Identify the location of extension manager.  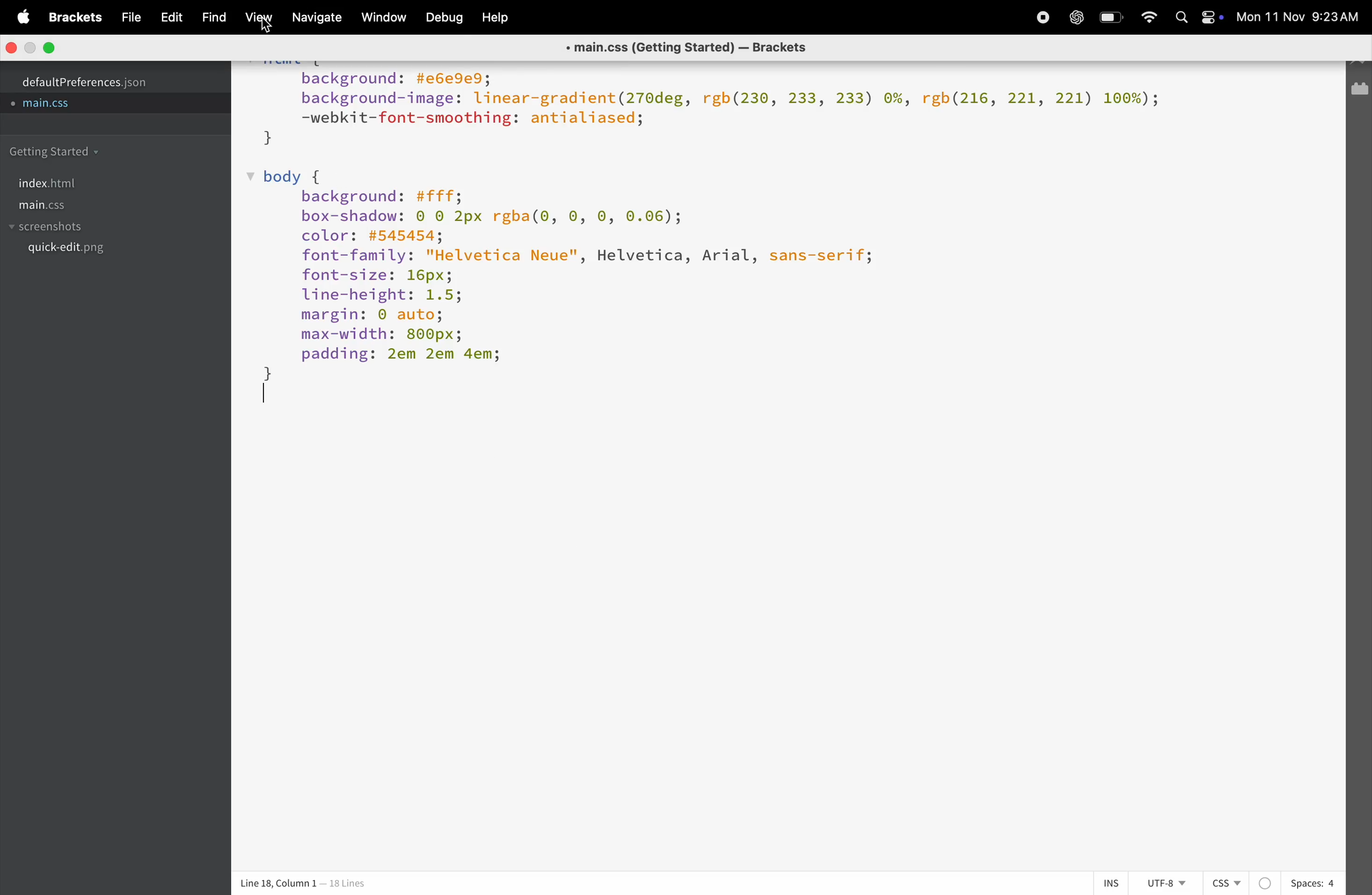
(1361, 94).